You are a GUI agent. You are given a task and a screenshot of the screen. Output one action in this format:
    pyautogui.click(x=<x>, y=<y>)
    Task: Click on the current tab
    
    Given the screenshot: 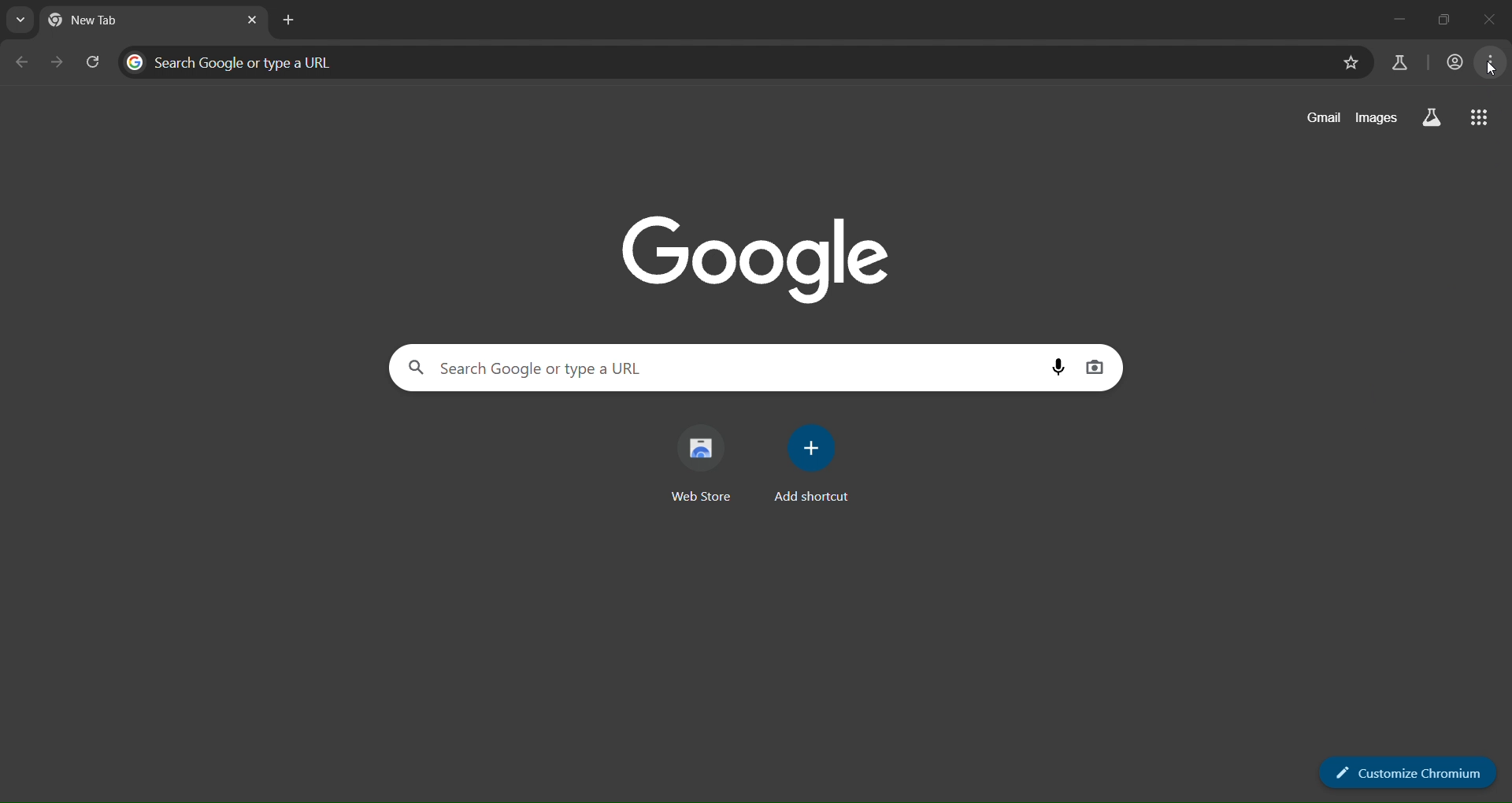 What is the action you would take?
    pyautogui.click(x=91, y=20)
    